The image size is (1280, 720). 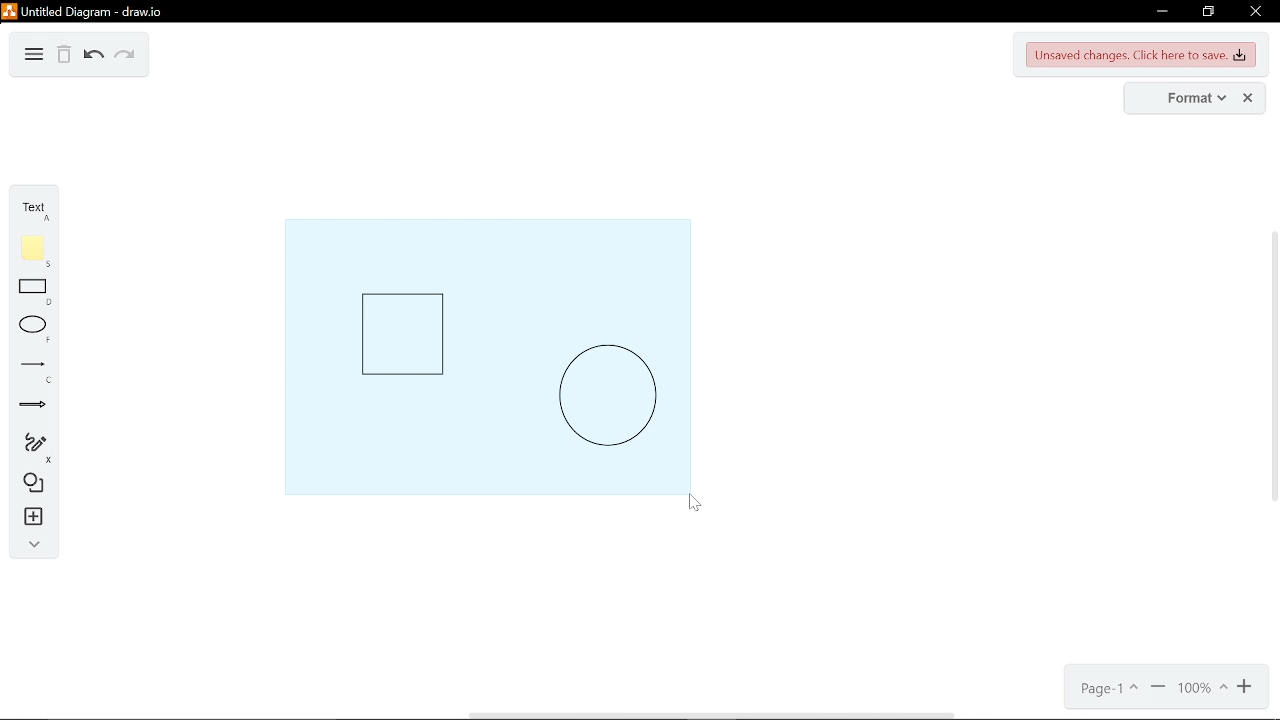 I want to click on logo, so click(x=9, y=10).